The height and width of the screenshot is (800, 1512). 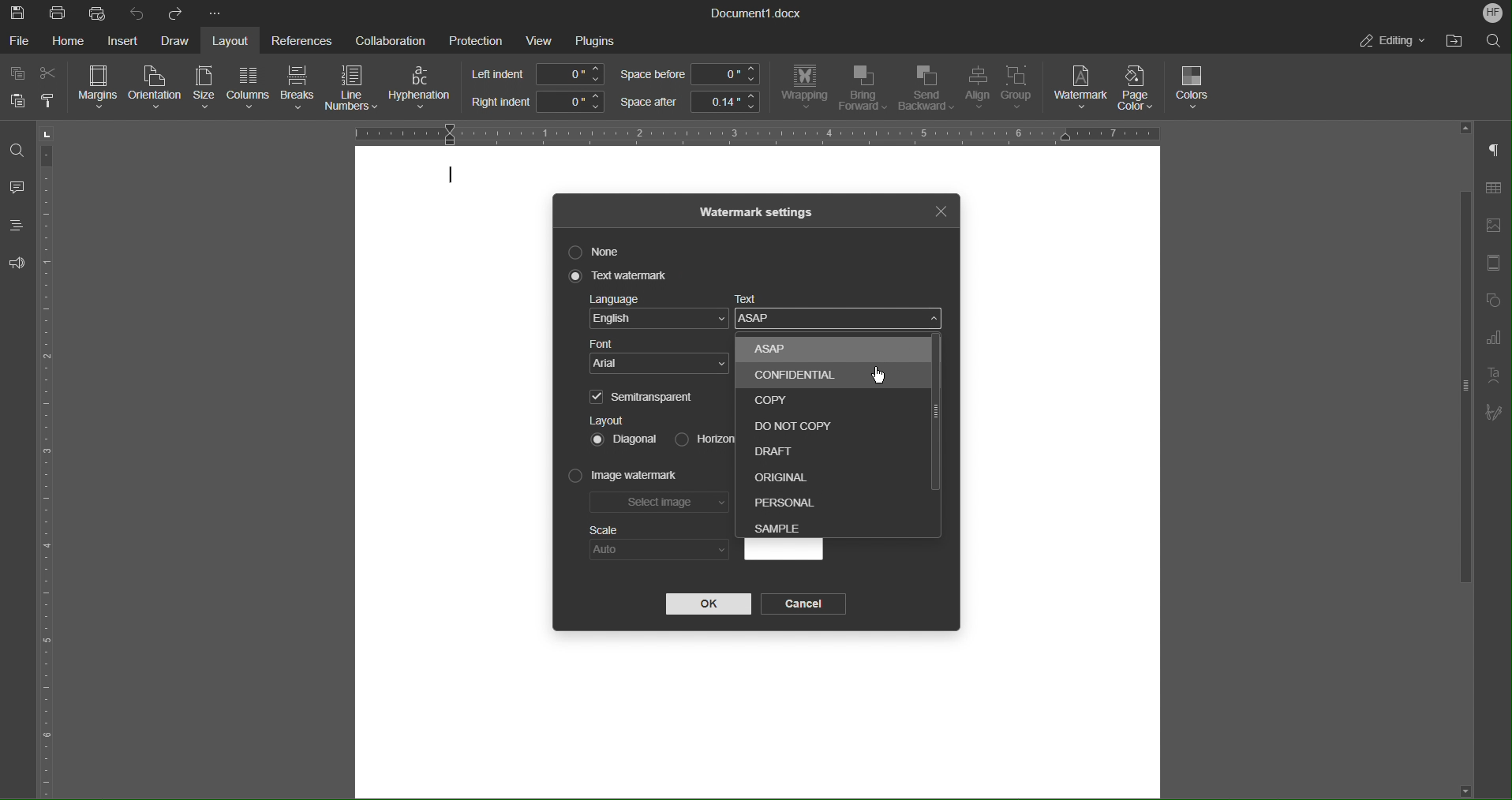 What do you see at coordinates (882, 376) in the screenshot?
I see `cursor` at bounding box center [882, 376].